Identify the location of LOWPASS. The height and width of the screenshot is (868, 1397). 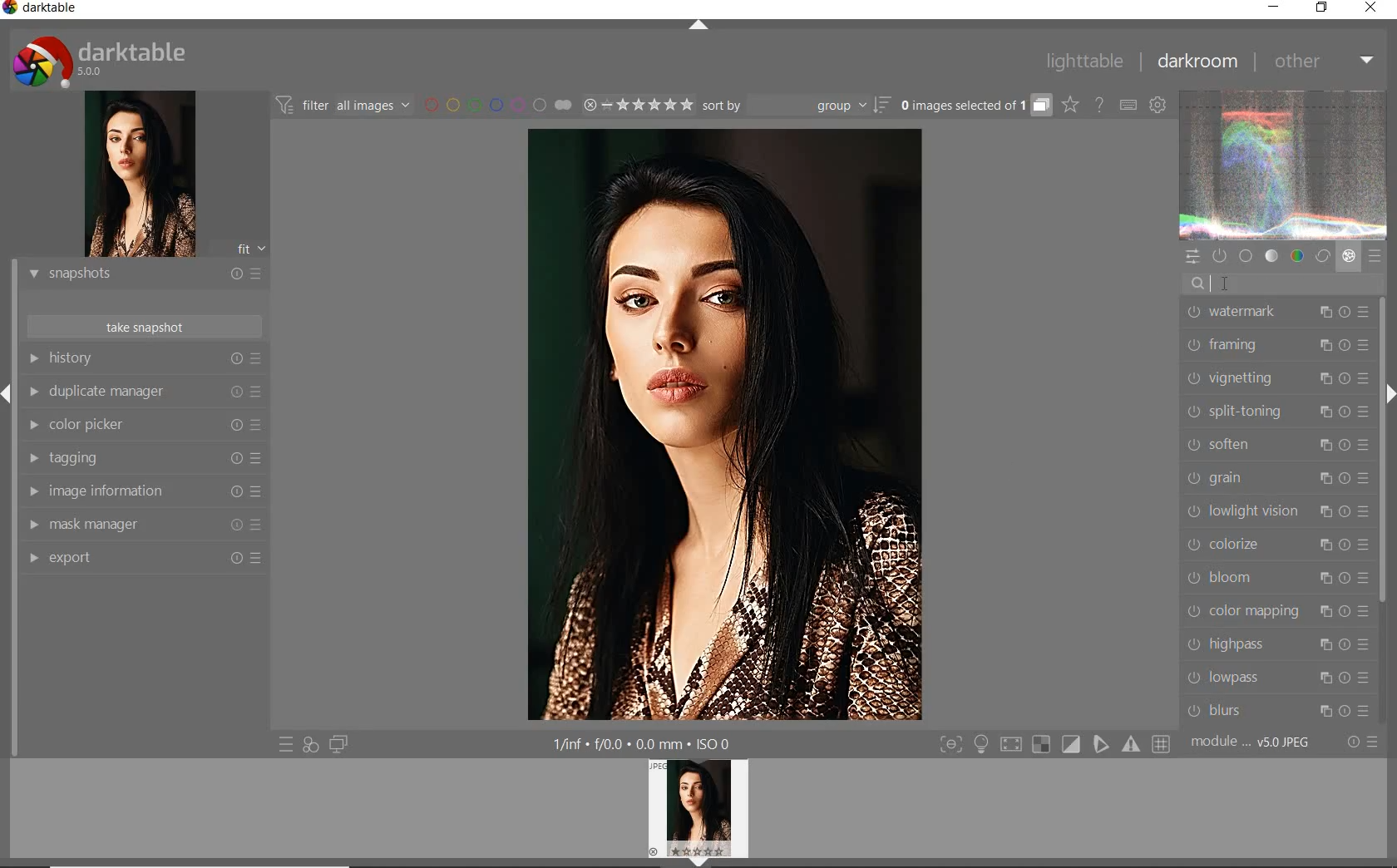
(1276, 676).